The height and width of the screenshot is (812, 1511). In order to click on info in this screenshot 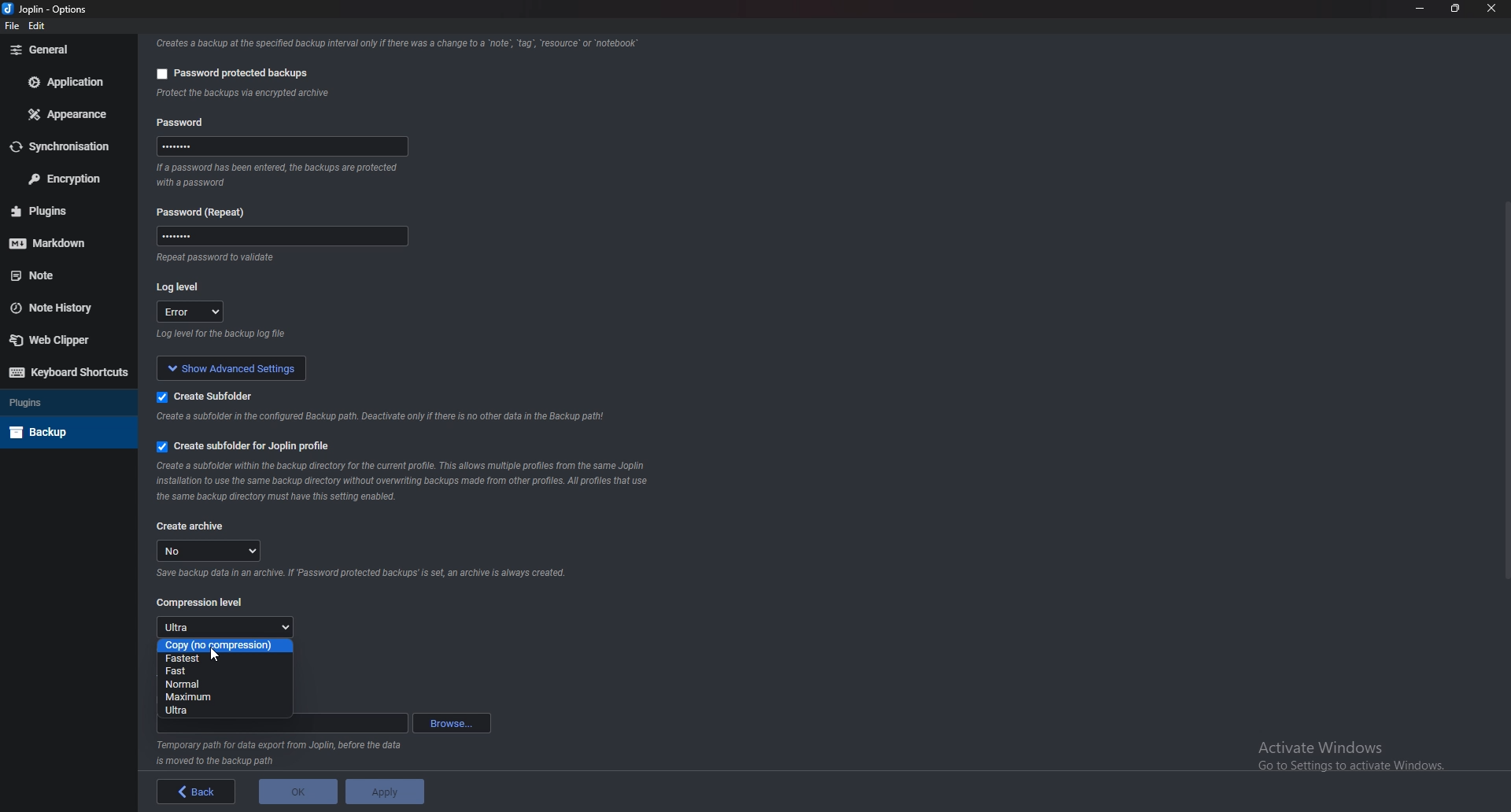, I will do `click(393, 42)`.